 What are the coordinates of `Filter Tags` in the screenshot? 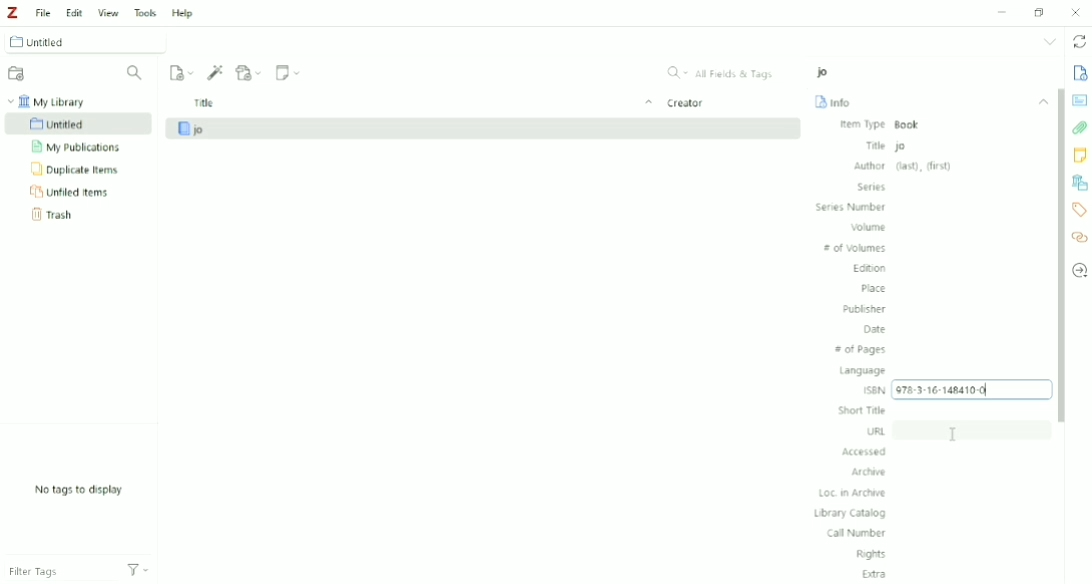 It's located at (77, 571).